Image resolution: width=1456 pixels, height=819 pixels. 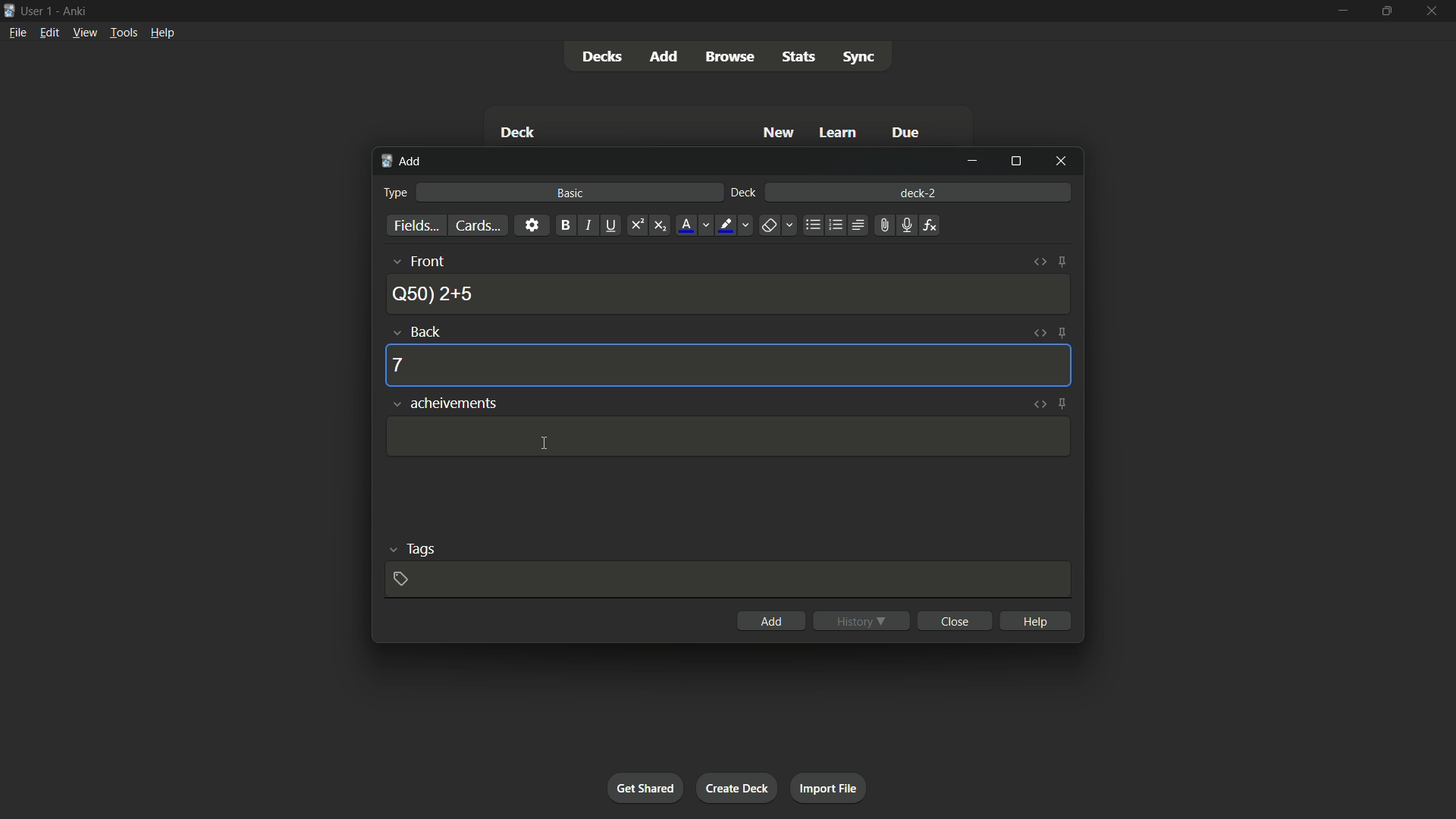 What do you see at coordinates (543, 444) in the screenshot?
I see `cursor` at bounding box center [543, 444].